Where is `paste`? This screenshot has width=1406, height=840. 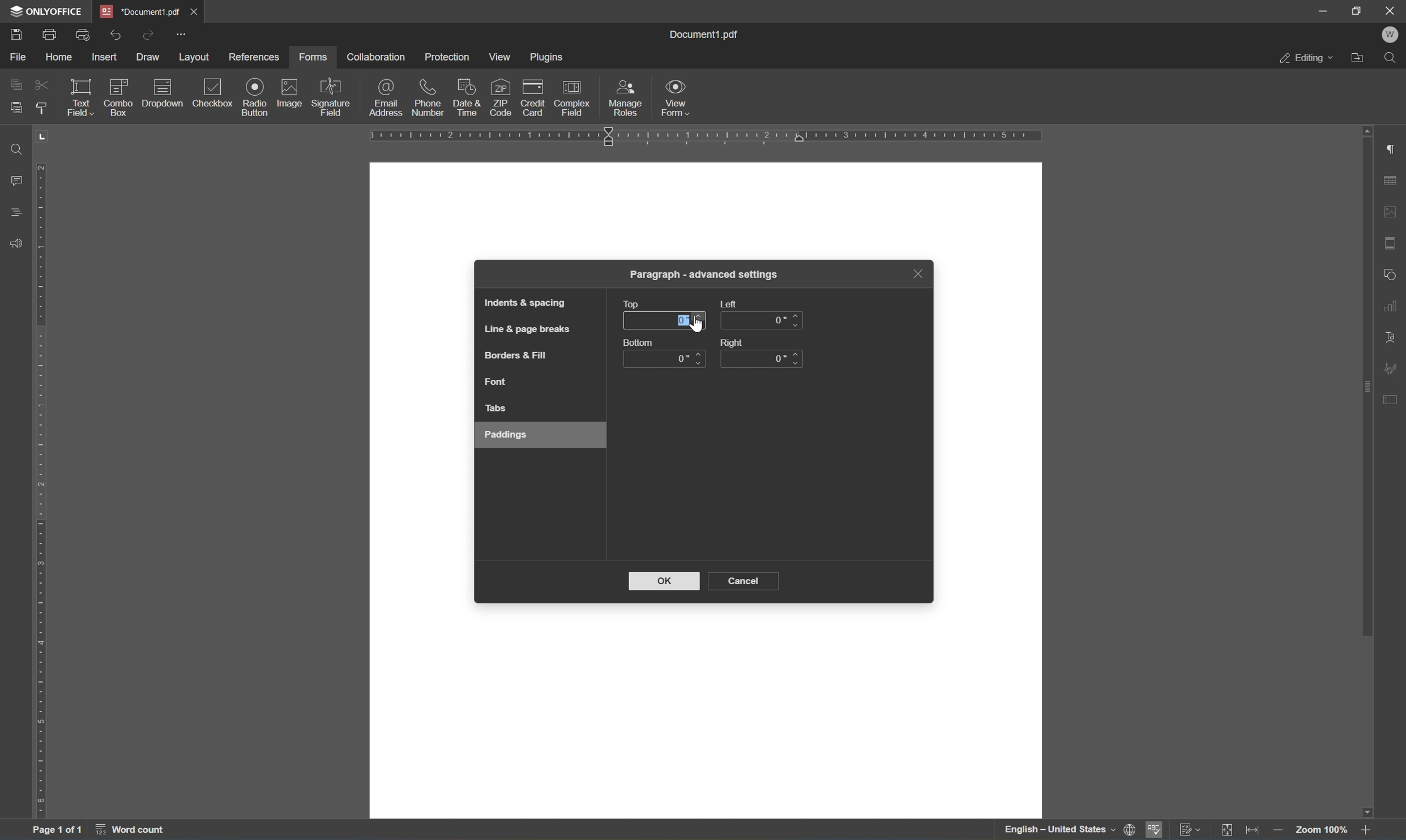
paste is located at coordinates (16, 108).